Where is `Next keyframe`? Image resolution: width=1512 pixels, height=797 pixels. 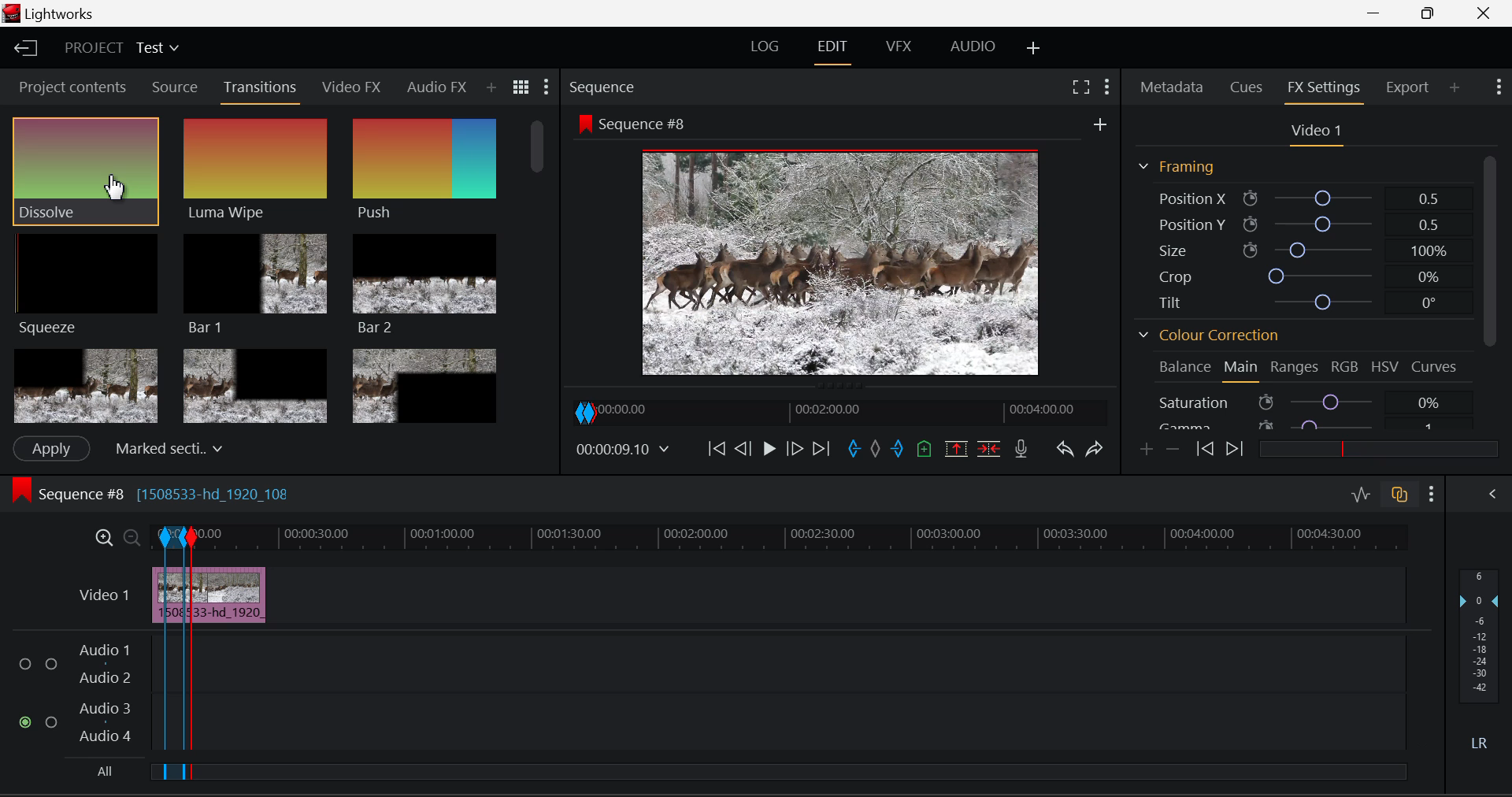
Next keyframe is located at coordinates (1232, 449).